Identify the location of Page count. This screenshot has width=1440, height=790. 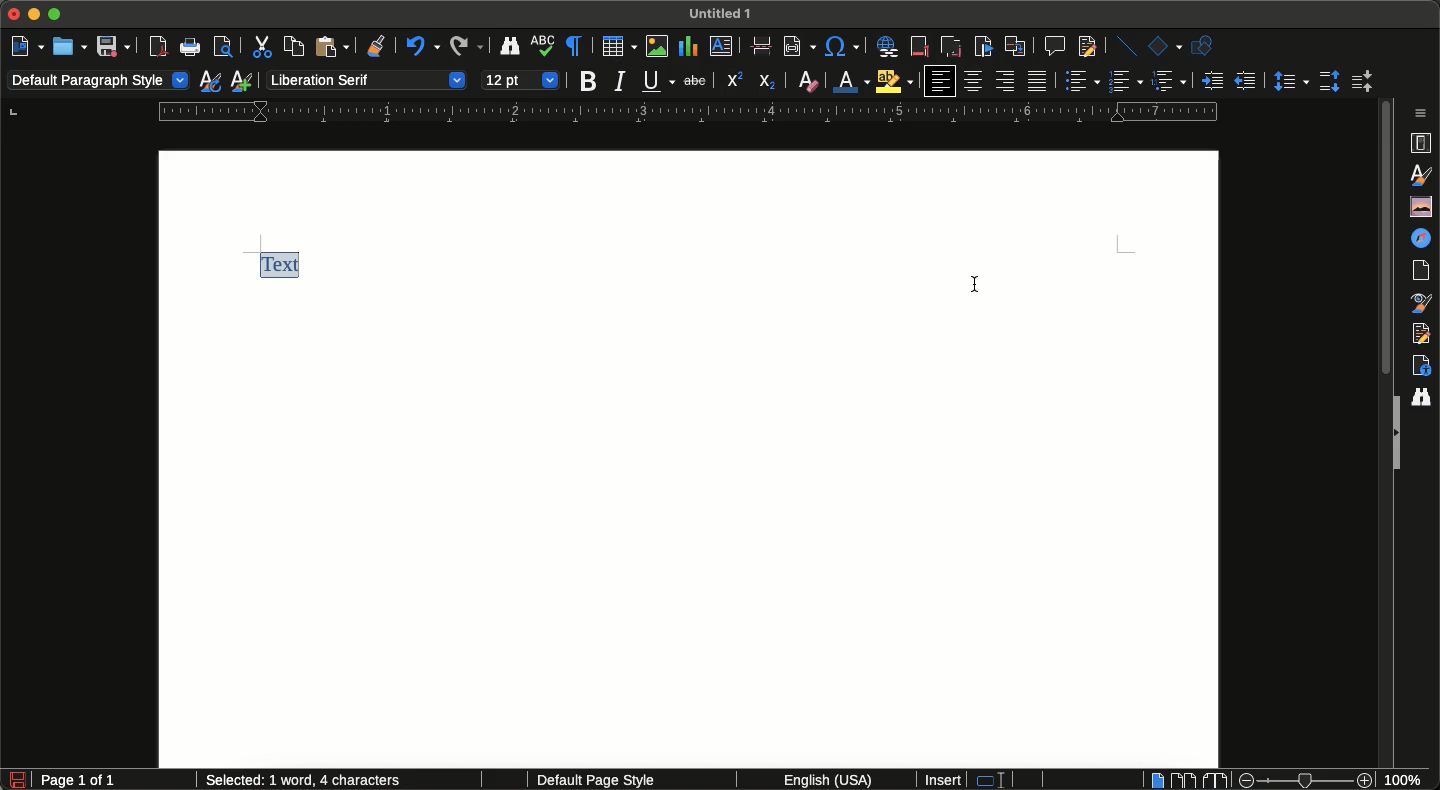
(114, 781).